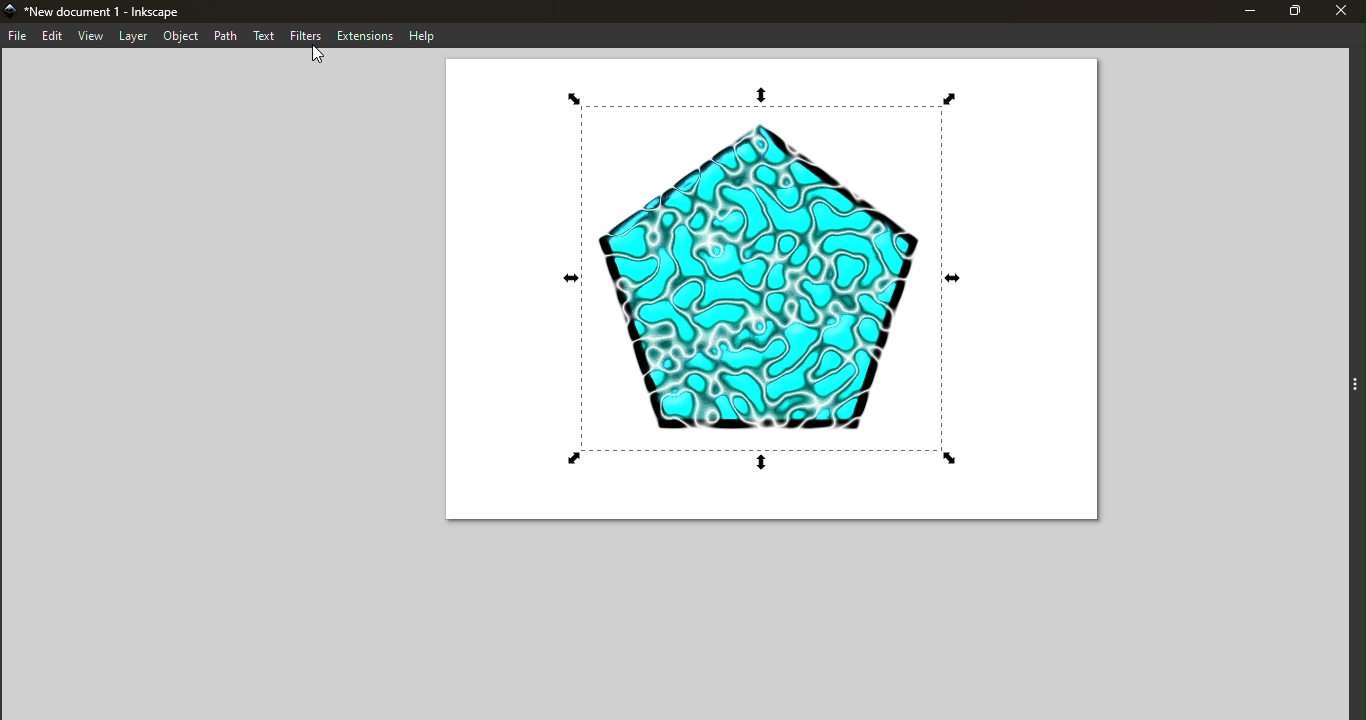 The height and width of the screenshot is (720, 1366). Describe the element at coordinates (1248, 10) in the screenshot. I see `Minimize` at that location.